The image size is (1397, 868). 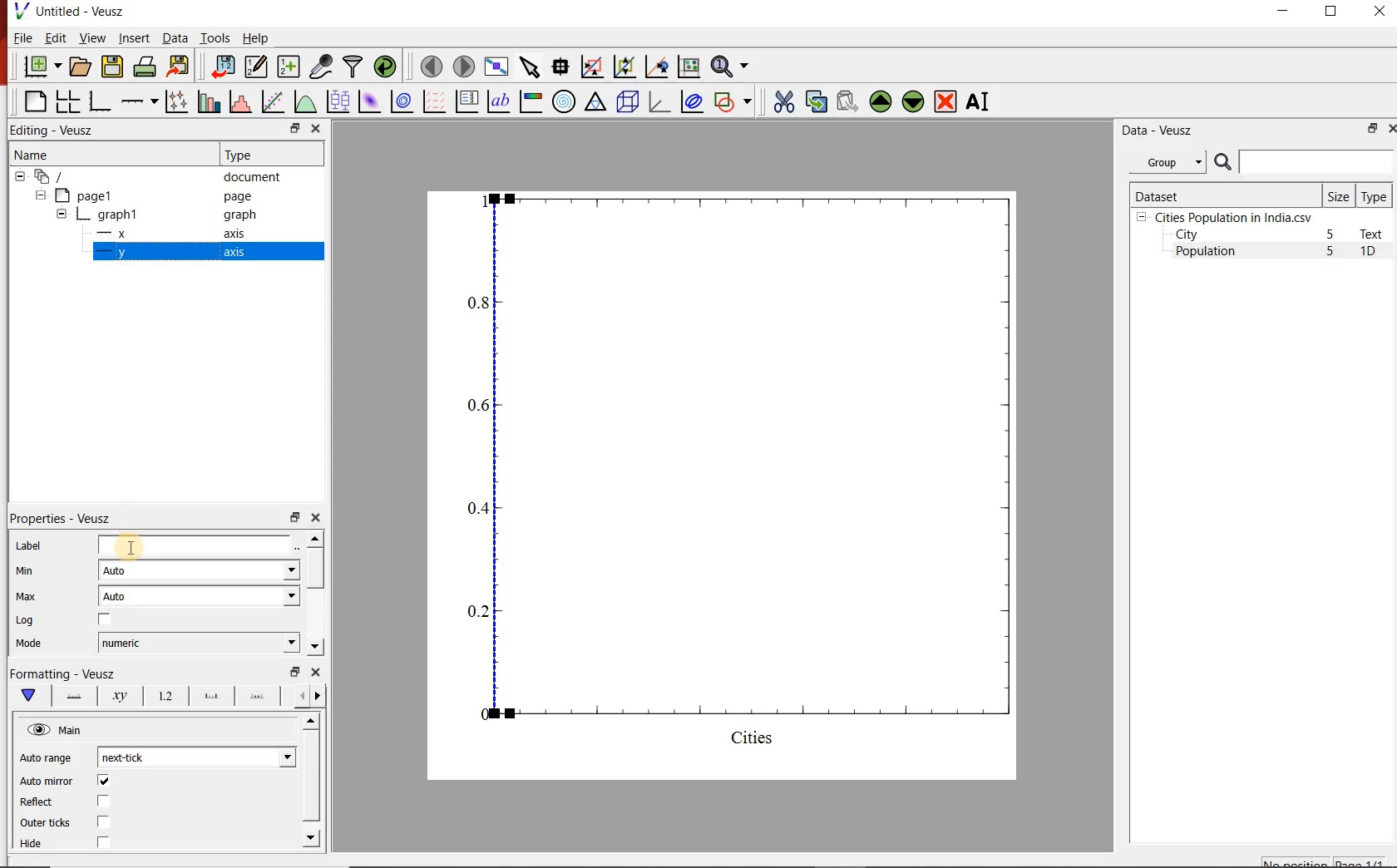 I want to click on blank page, so click(x=33, y=102).